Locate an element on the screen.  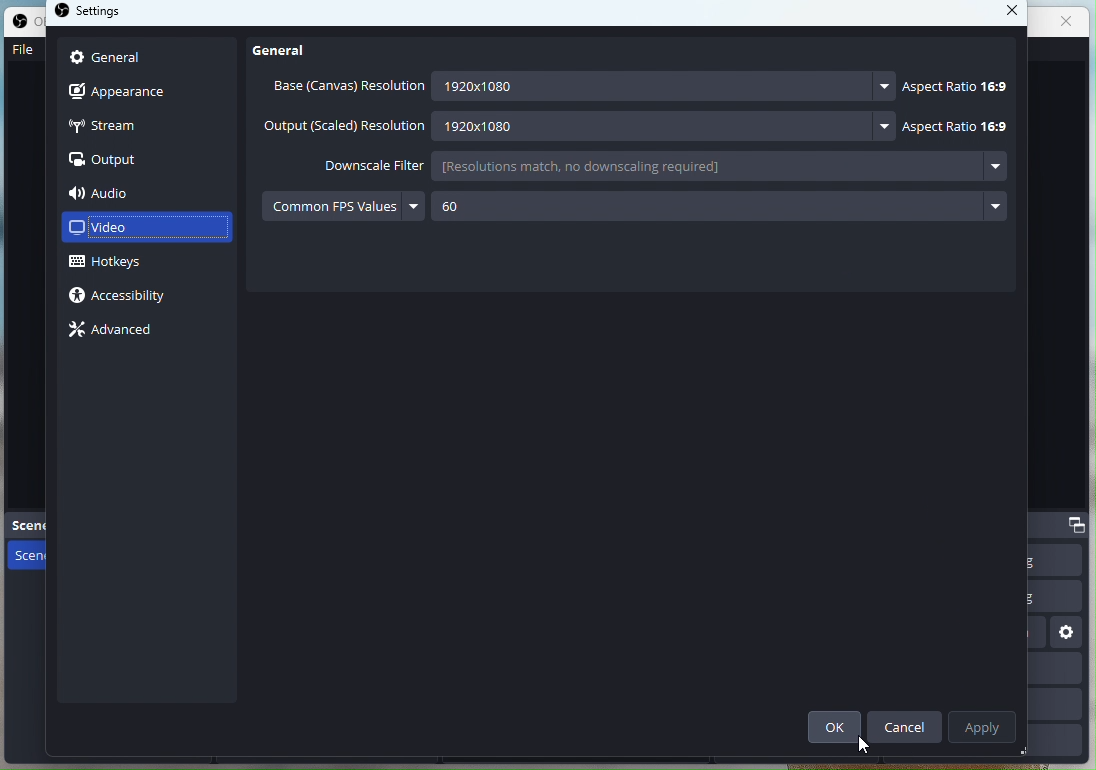
Downscale Filter is located at coordinates (358, 164).